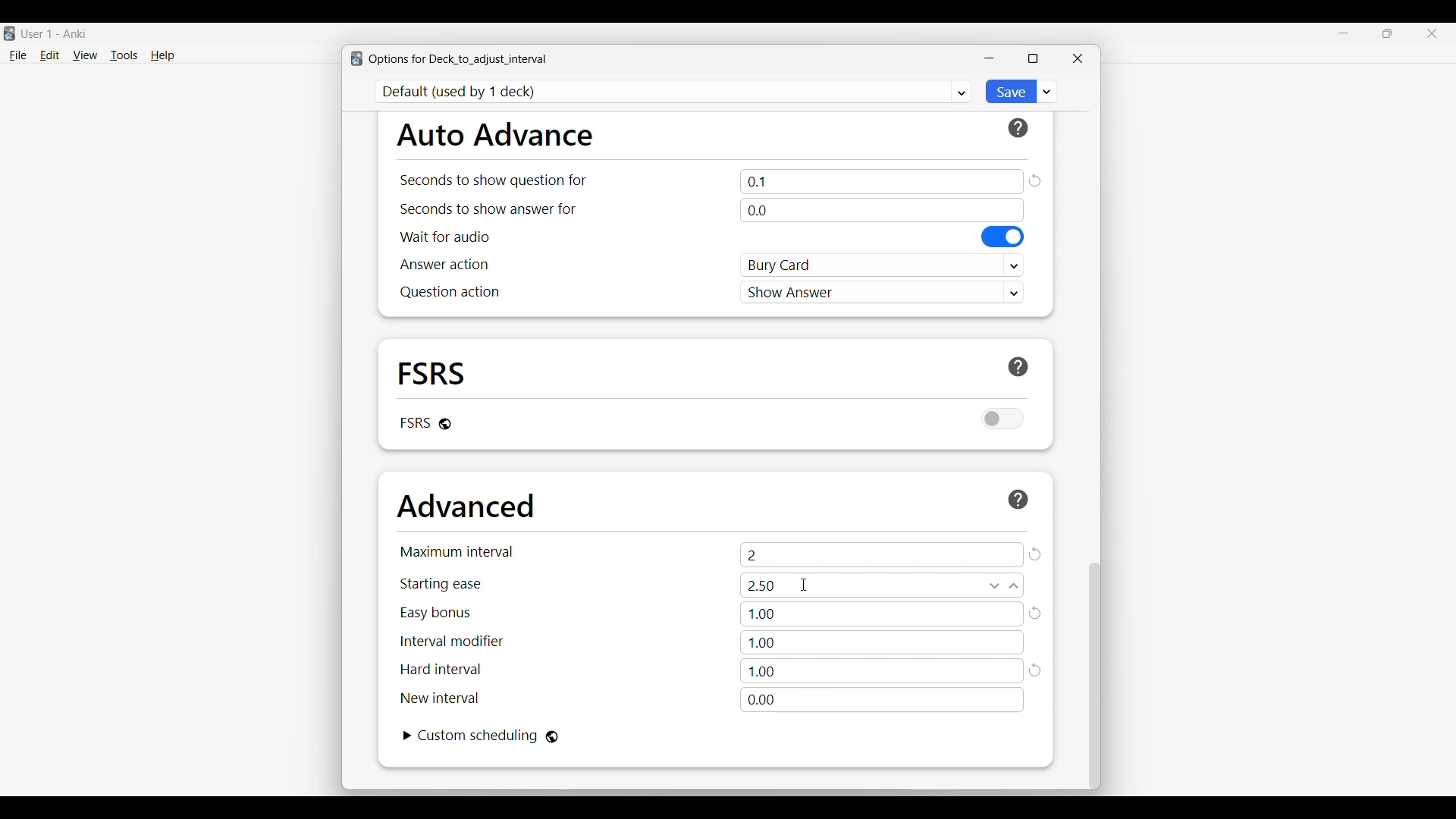 The image size is (1456, 819). What do you see at coordinates (85, 55) in the screenshot?
I see `View menu` at bounding box center [85, 55].